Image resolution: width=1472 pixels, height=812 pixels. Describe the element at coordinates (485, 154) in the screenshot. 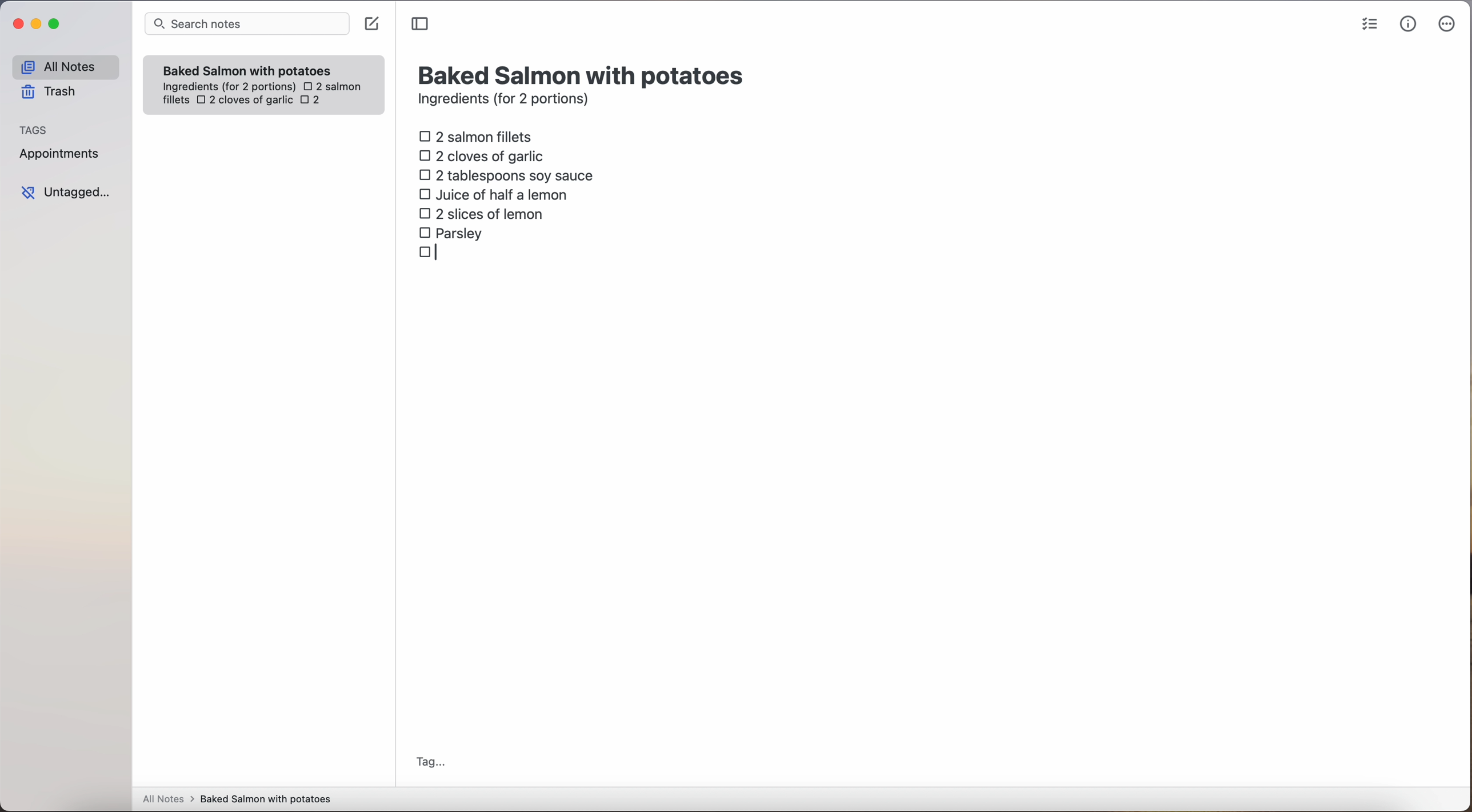

I see `2 cloves of garlic` at that location.